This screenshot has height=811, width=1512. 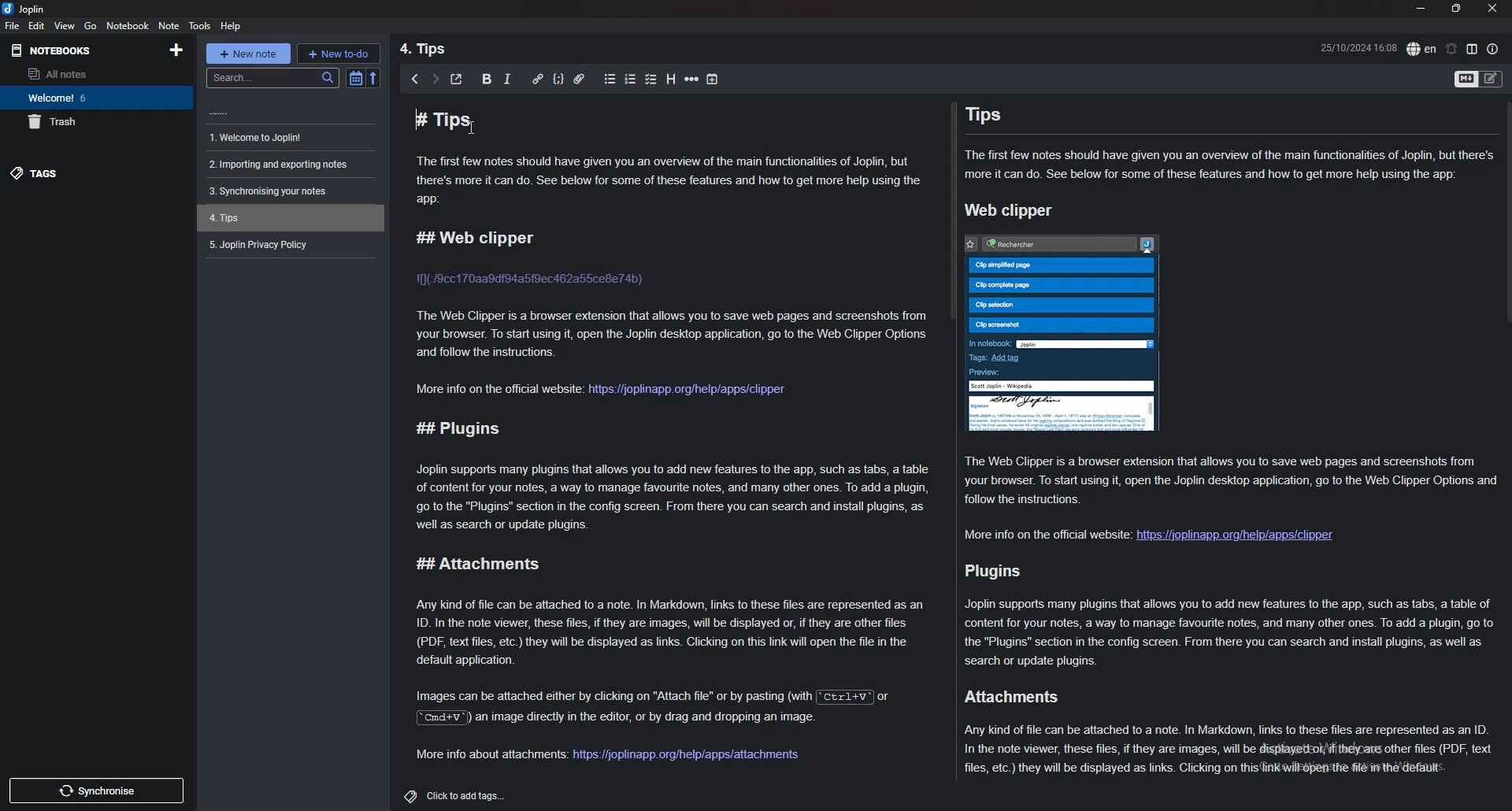 I want to click on numbered list, so click(x=629, y=78).